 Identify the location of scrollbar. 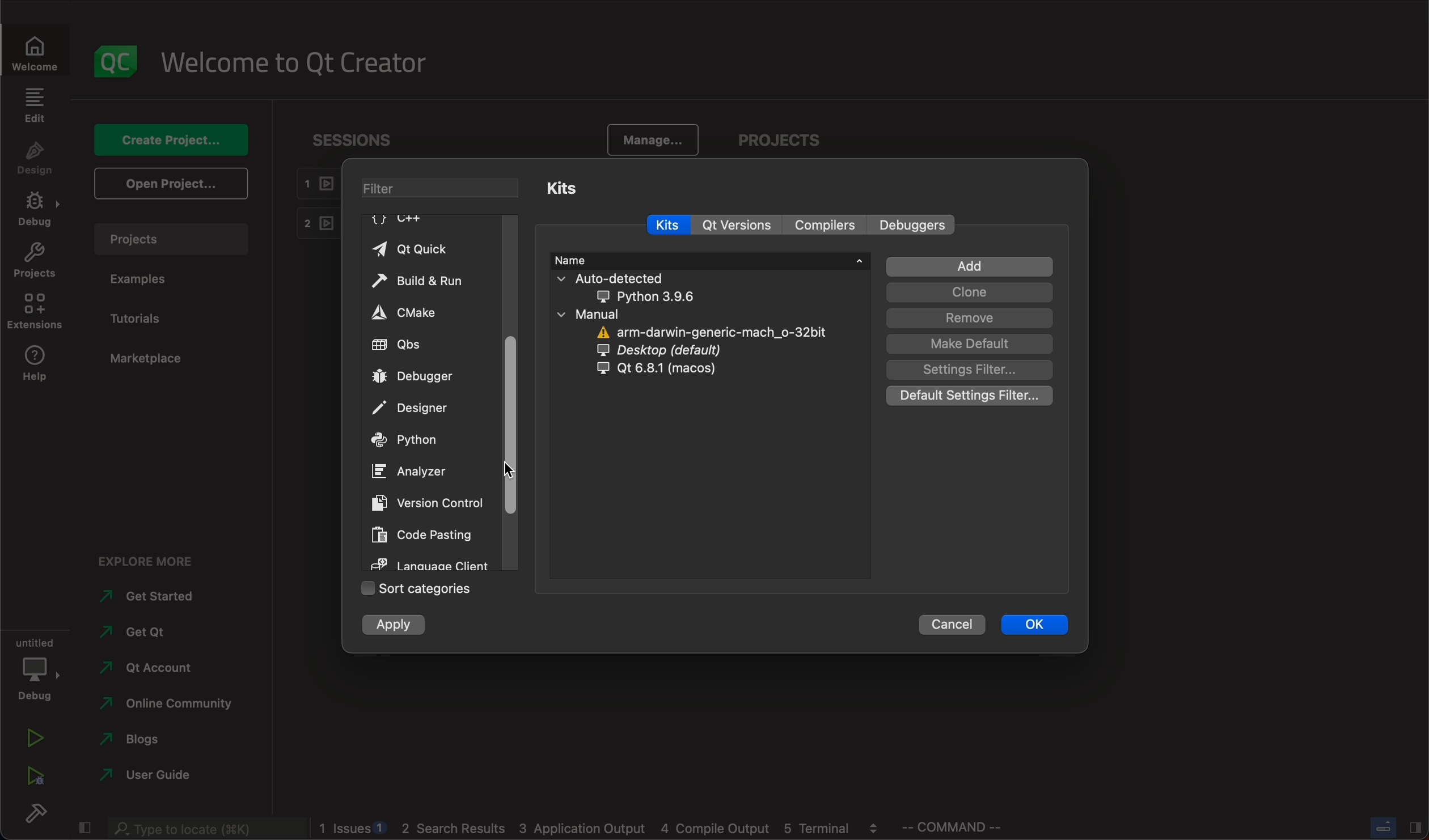
(511, 394).